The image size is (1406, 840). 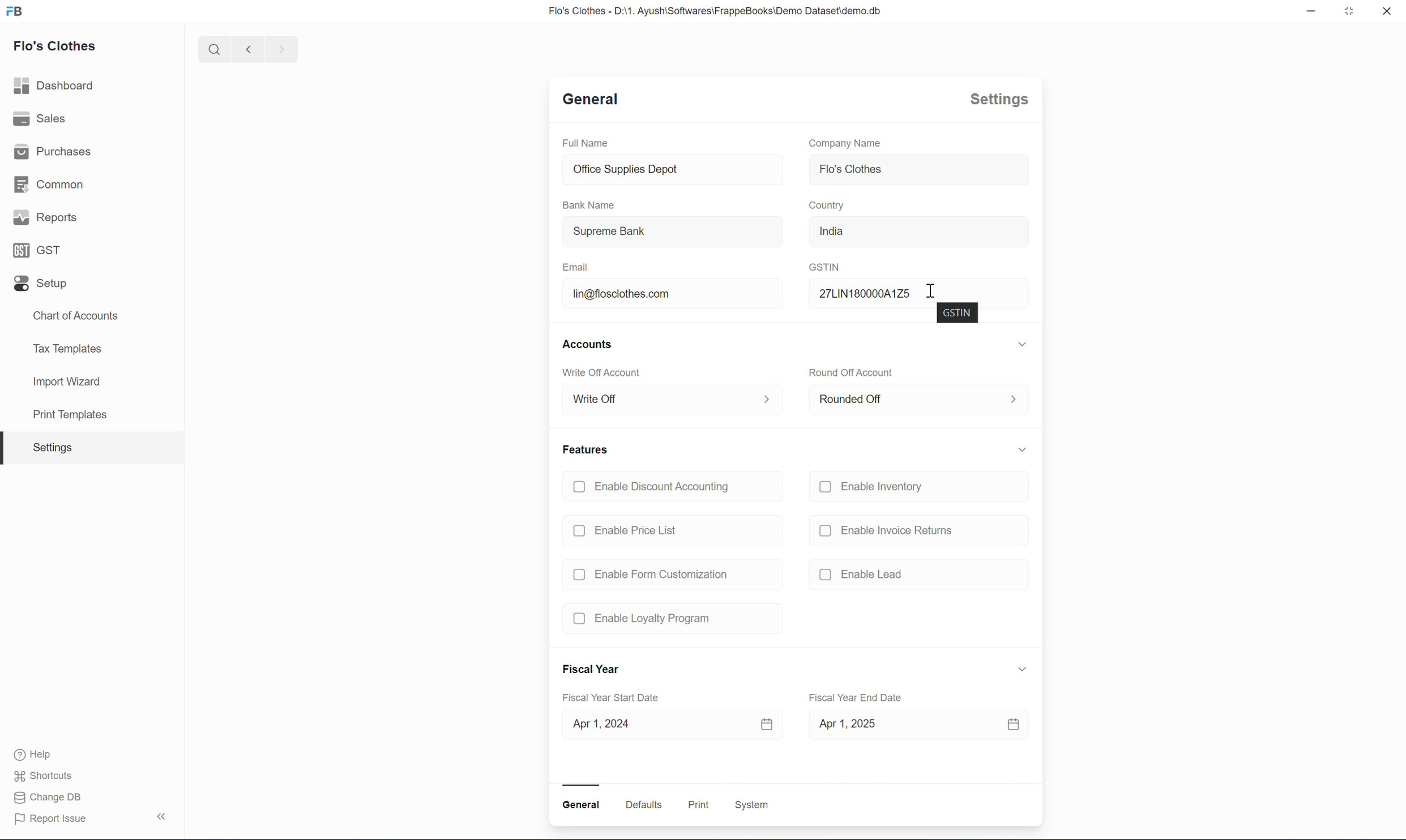 What do you see at coordinates (875, 488) in the screenshot?
I see `Enable Inventory` at bounding box center [875, 488].